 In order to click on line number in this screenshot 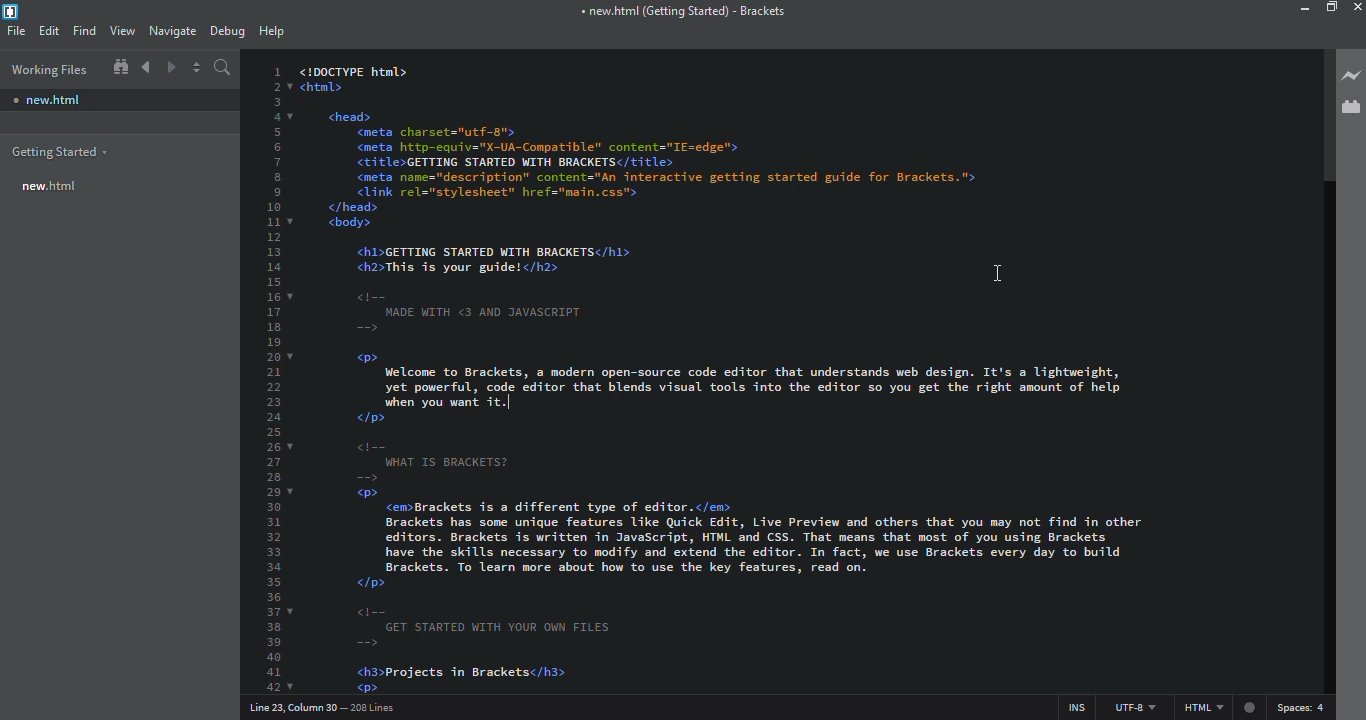, I will do `click(329, 707)`.